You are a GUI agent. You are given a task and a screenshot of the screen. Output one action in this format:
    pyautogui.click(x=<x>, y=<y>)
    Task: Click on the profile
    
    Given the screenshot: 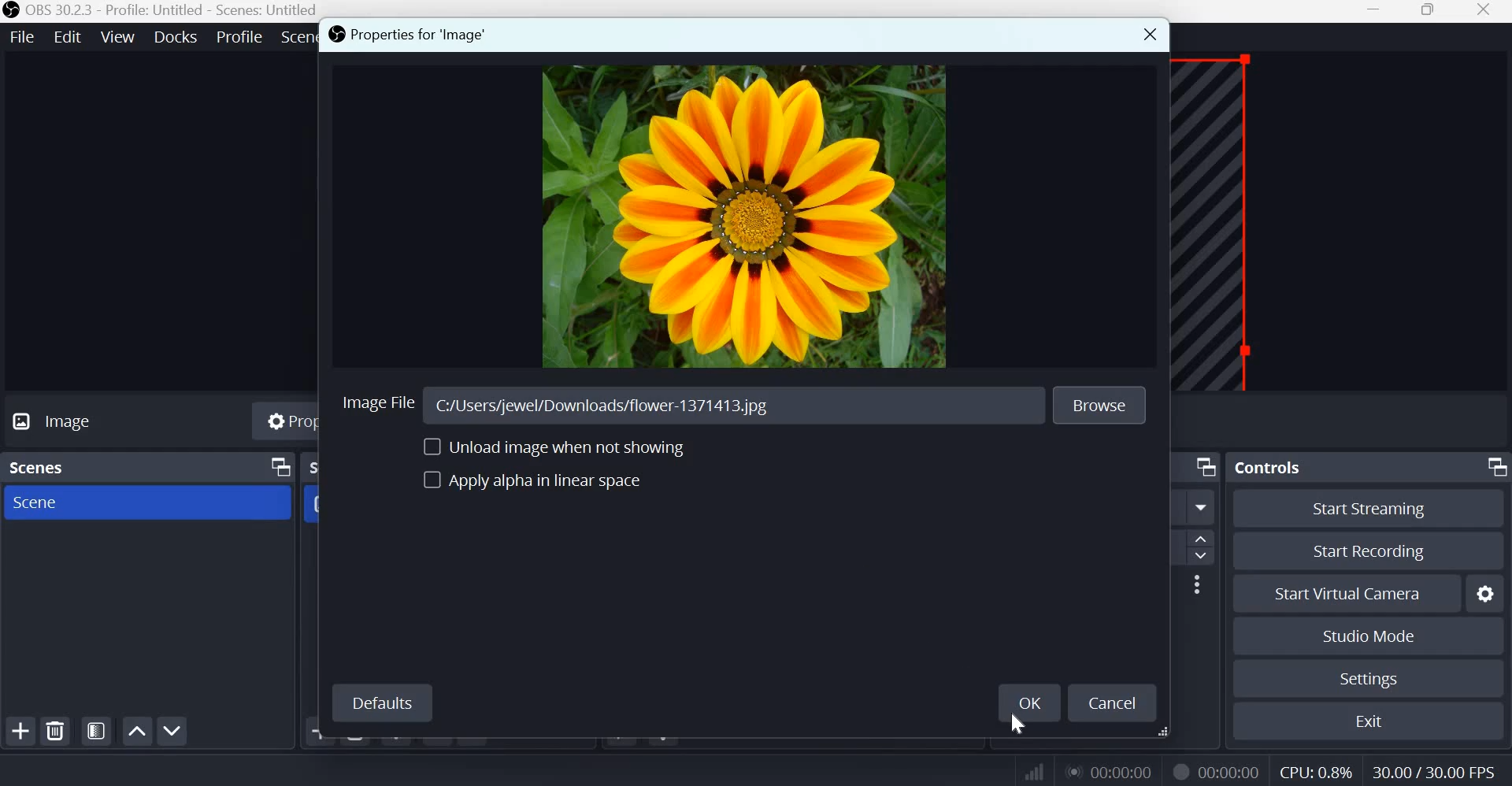 What is the action you would take?
    pyautogui.click(x=241, y=35)
    